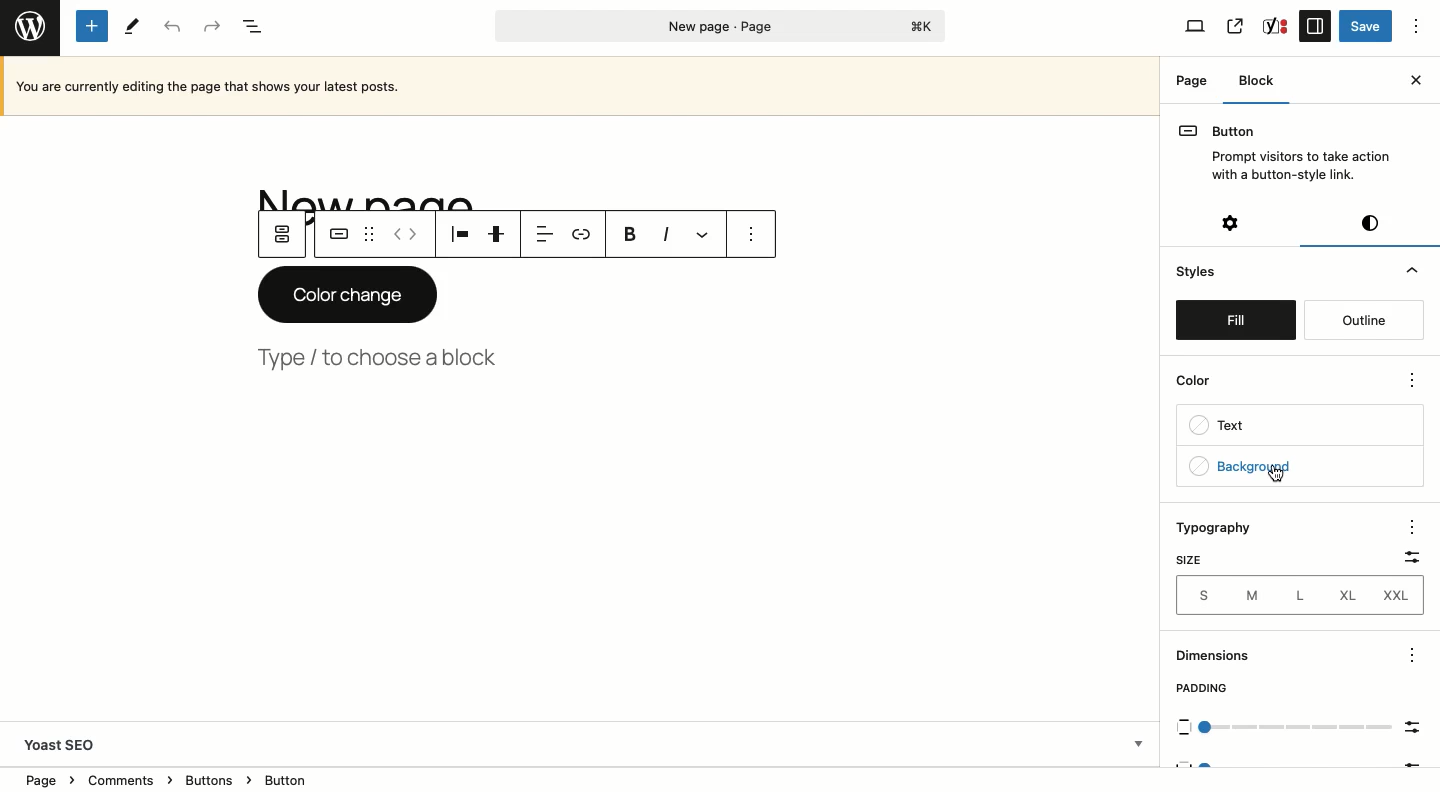  Describe the element at coordinates (1224, 657) in the screenshot. I see `Dimensions` at that location.